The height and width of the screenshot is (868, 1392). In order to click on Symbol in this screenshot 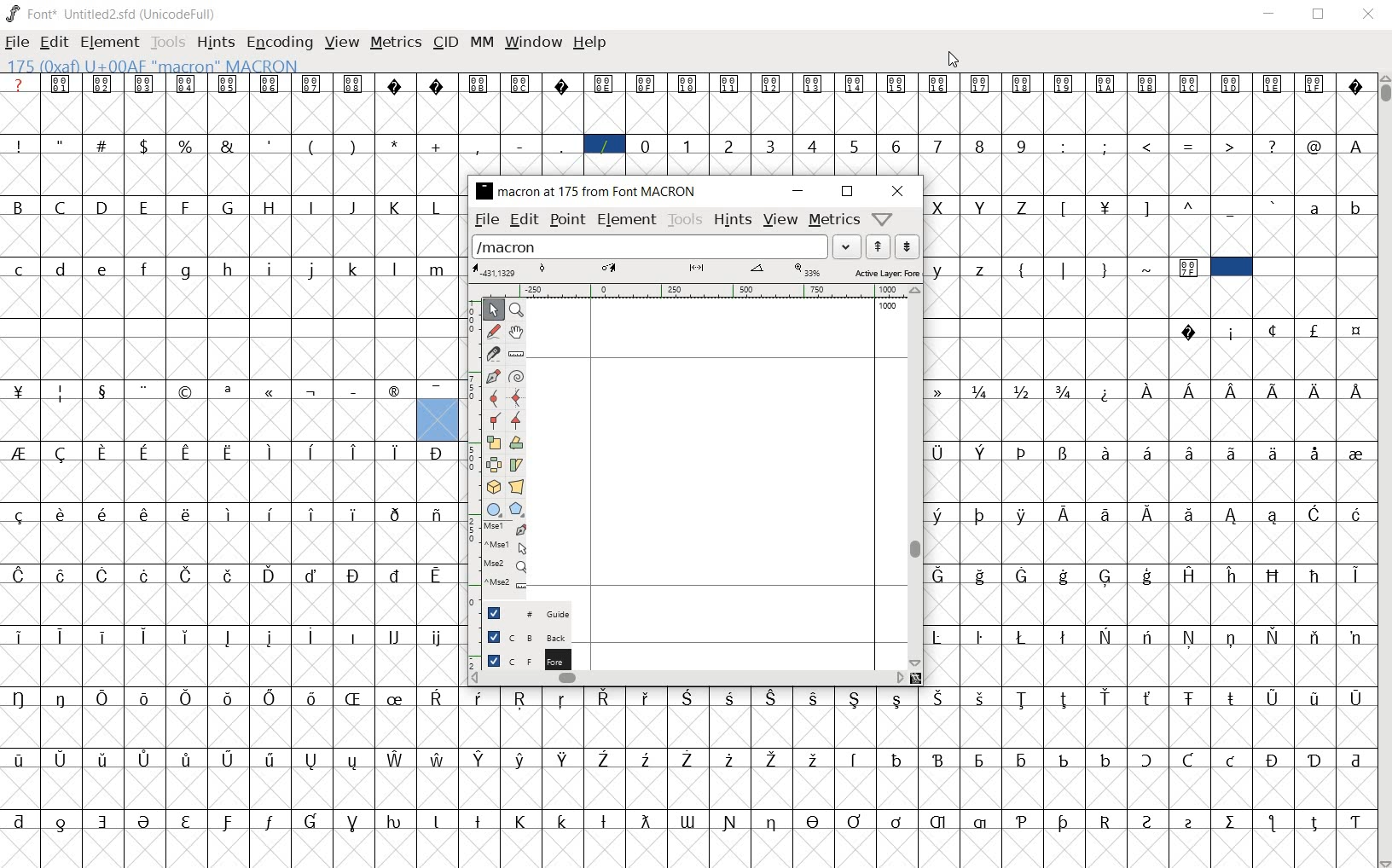, I will do `click(980, 758)`.